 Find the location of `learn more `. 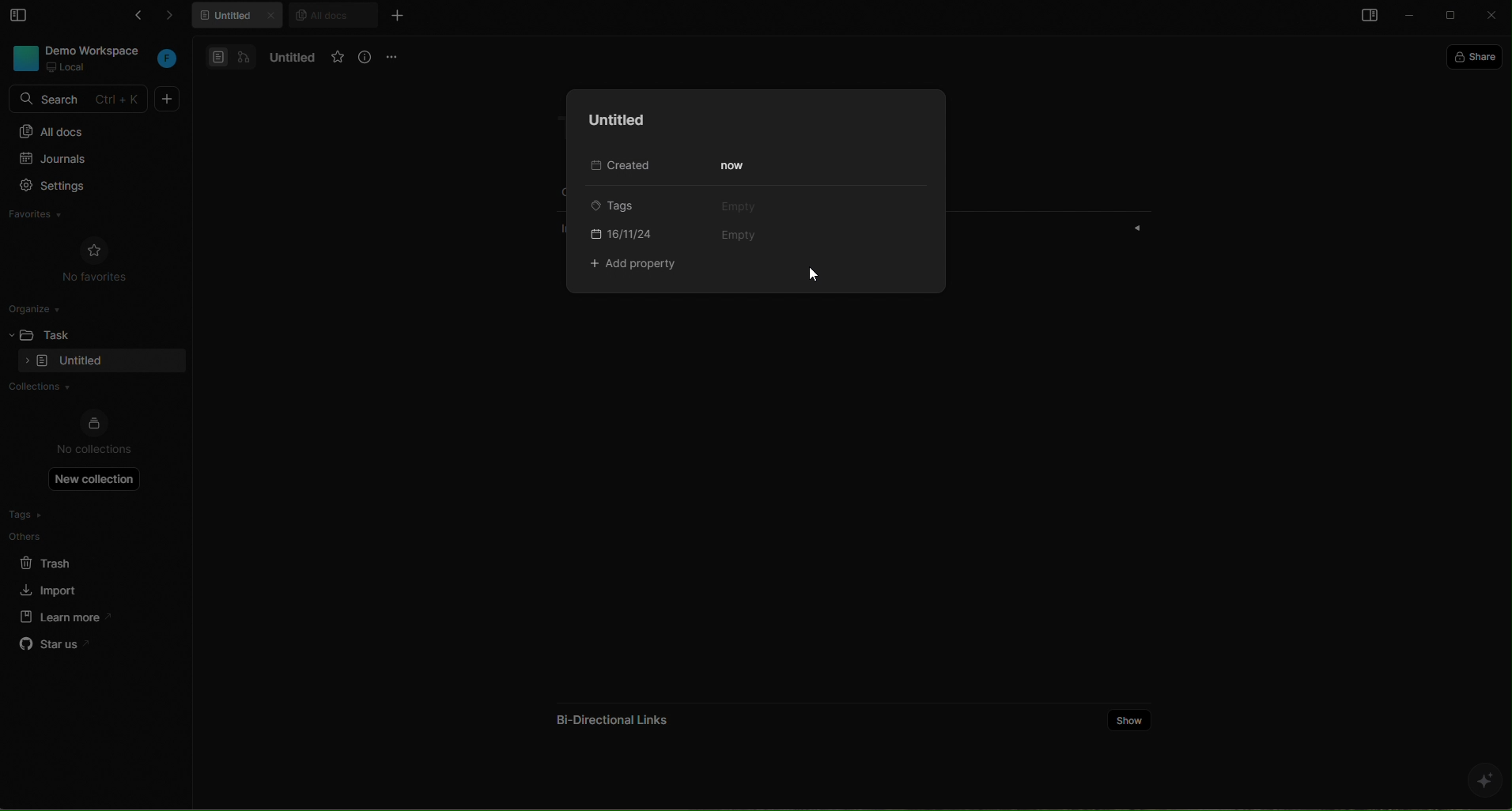

learn more  is located at coordinates (60, 616).